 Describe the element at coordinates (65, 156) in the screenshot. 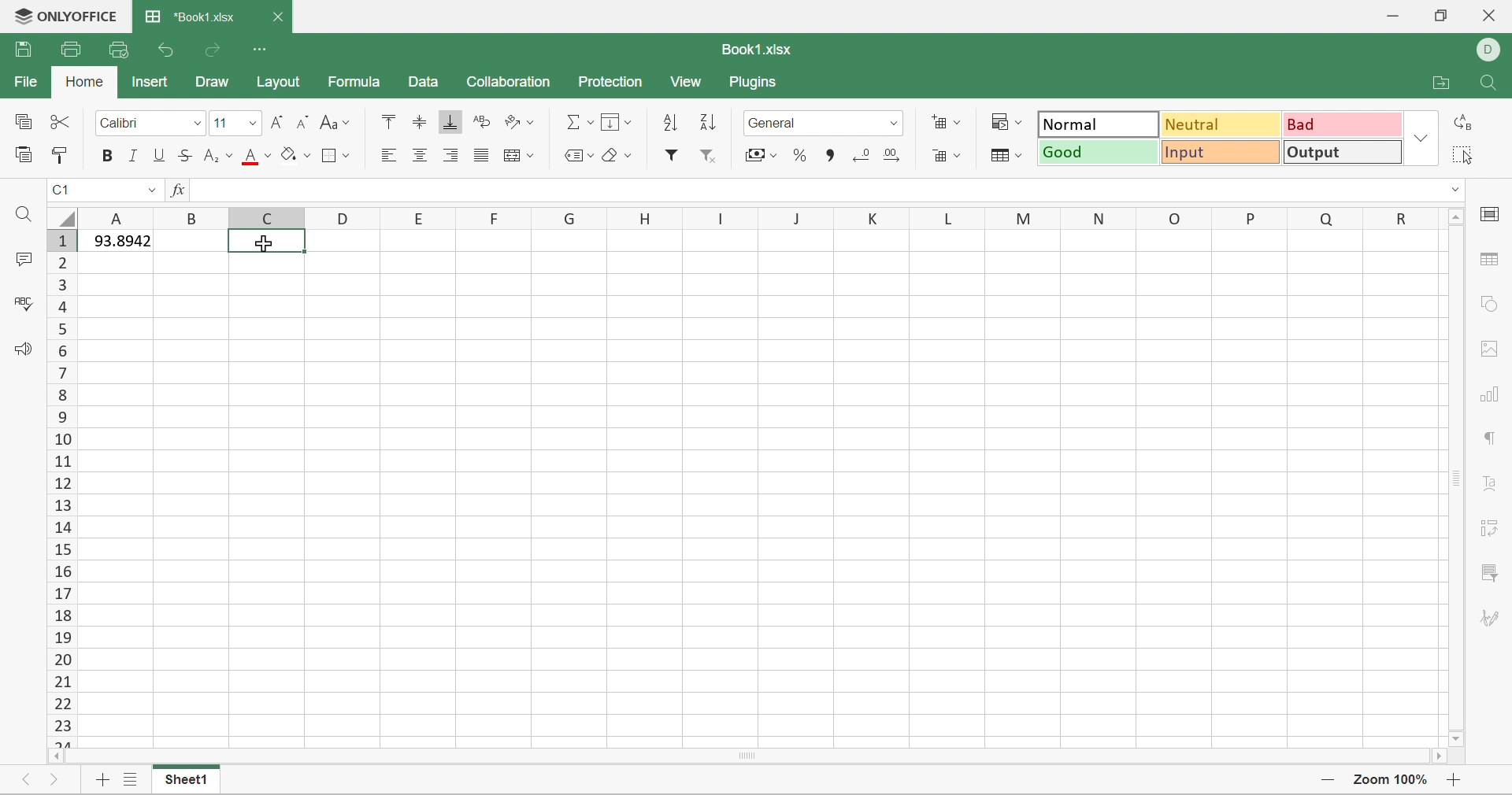

I see `Copy Style` at that location.